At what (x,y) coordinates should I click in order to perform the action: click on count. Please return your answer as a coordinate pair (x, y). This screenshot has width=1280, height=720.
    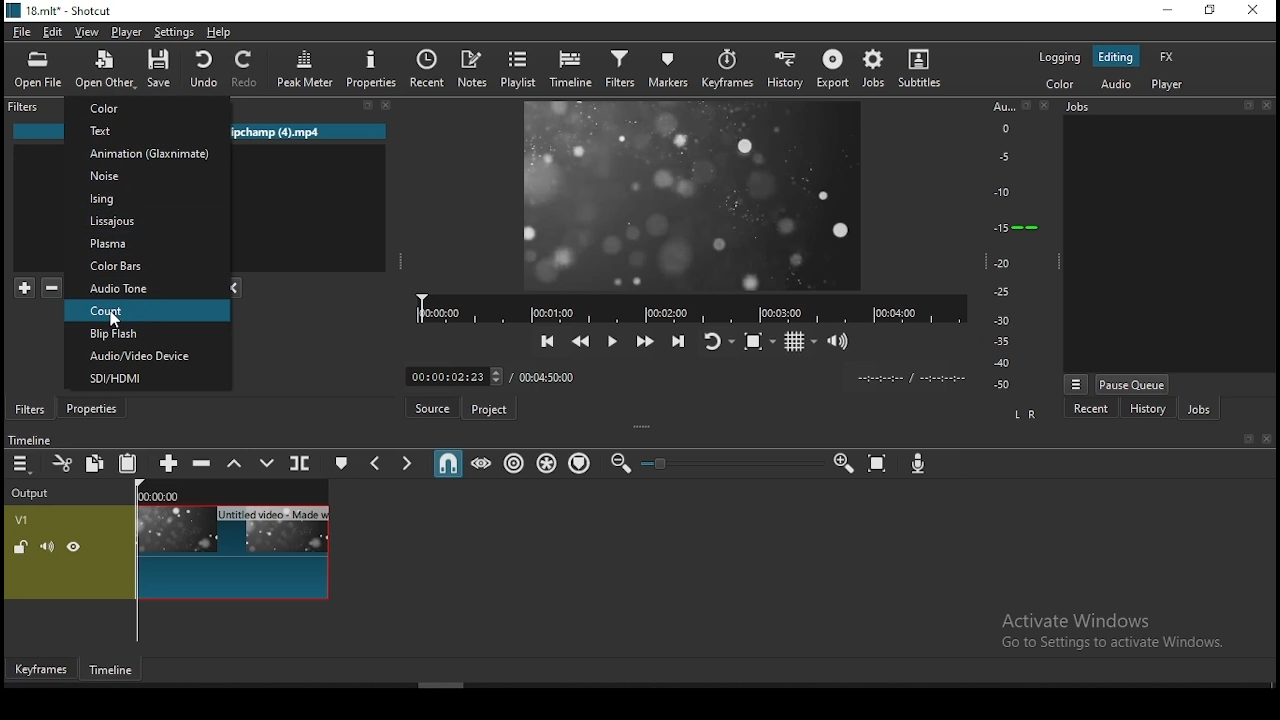
    Looking at the image, I should click on (148, 311).